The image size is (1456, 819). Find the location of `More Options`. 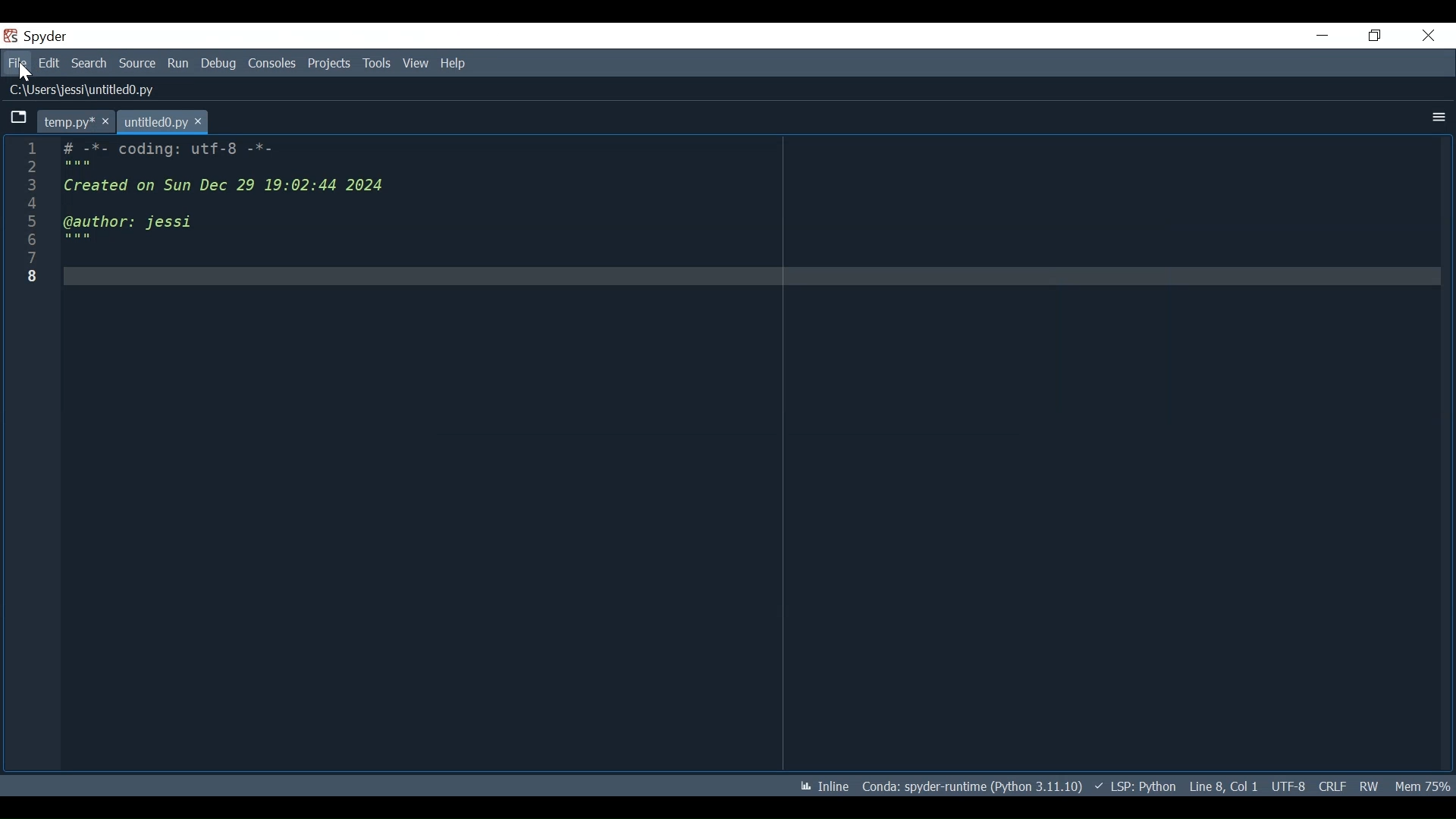

More Options is located at coordinates (1436, 118).